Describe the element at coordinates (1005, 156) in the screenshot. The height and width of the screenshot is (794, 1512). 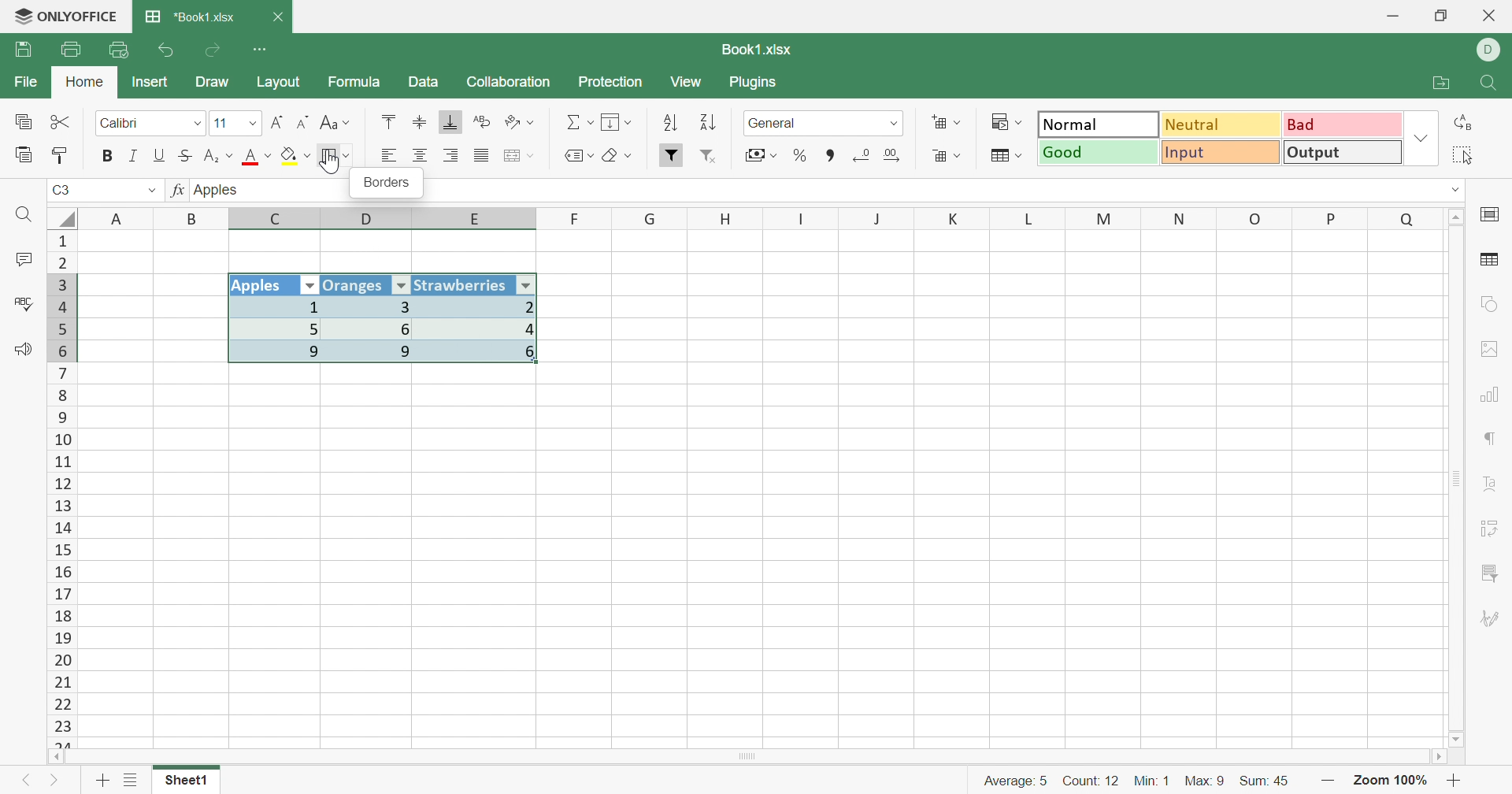
I see `Format as table template` at that location.